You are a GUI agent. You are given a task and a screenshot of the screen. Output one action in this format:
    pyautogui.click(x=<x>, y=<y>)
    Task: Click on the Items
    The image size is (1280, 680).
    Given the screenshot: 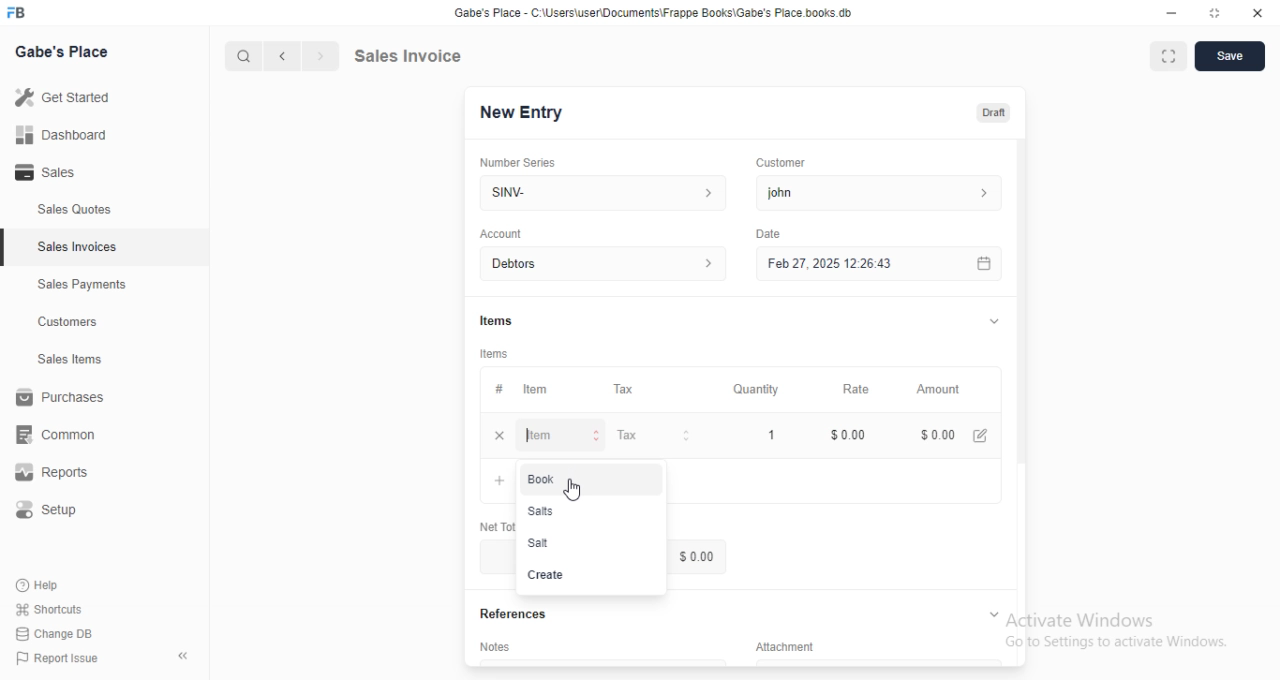 What is the action you would take?
    pyautogui.click(x=495, y=317)
    